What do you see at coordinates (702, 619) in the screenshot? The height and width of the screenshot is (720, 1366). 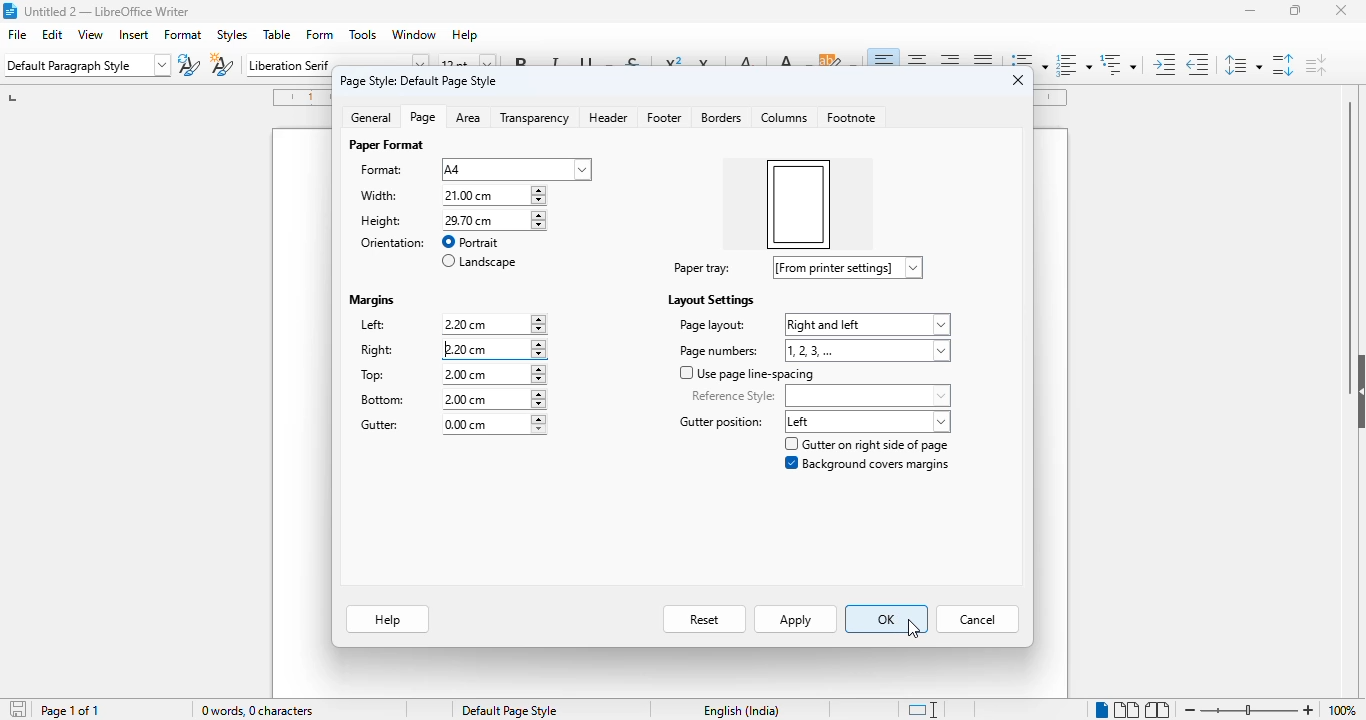 I see `reset` at bounding box center [702, 619].